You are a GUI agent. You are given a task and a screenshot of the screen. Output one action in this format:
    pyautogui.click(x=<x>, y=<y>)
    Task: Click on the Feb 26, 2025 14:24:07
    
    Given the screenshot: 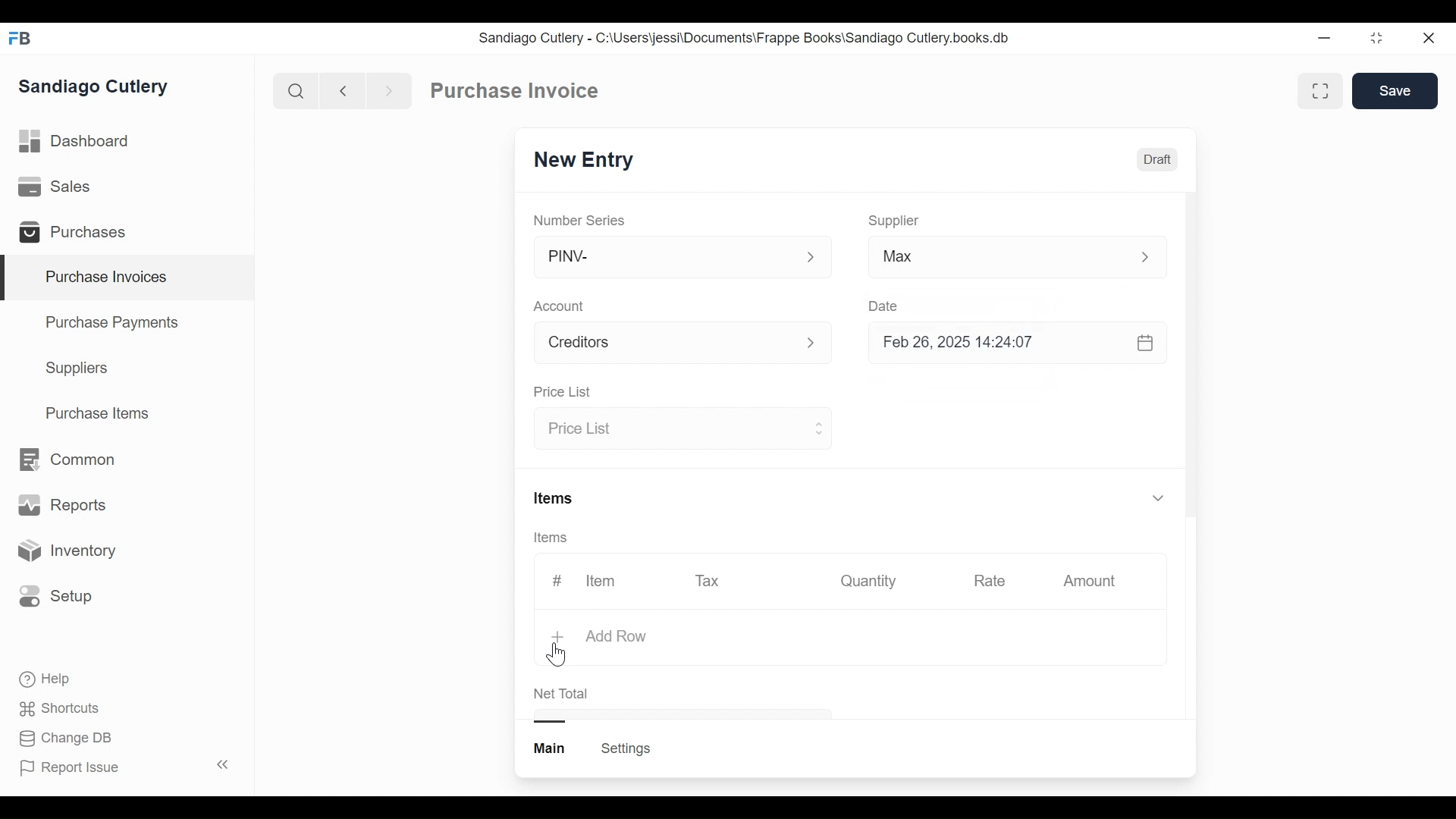 What is the action you would take?
    pyautogui.click(x=1009, y=343)
    